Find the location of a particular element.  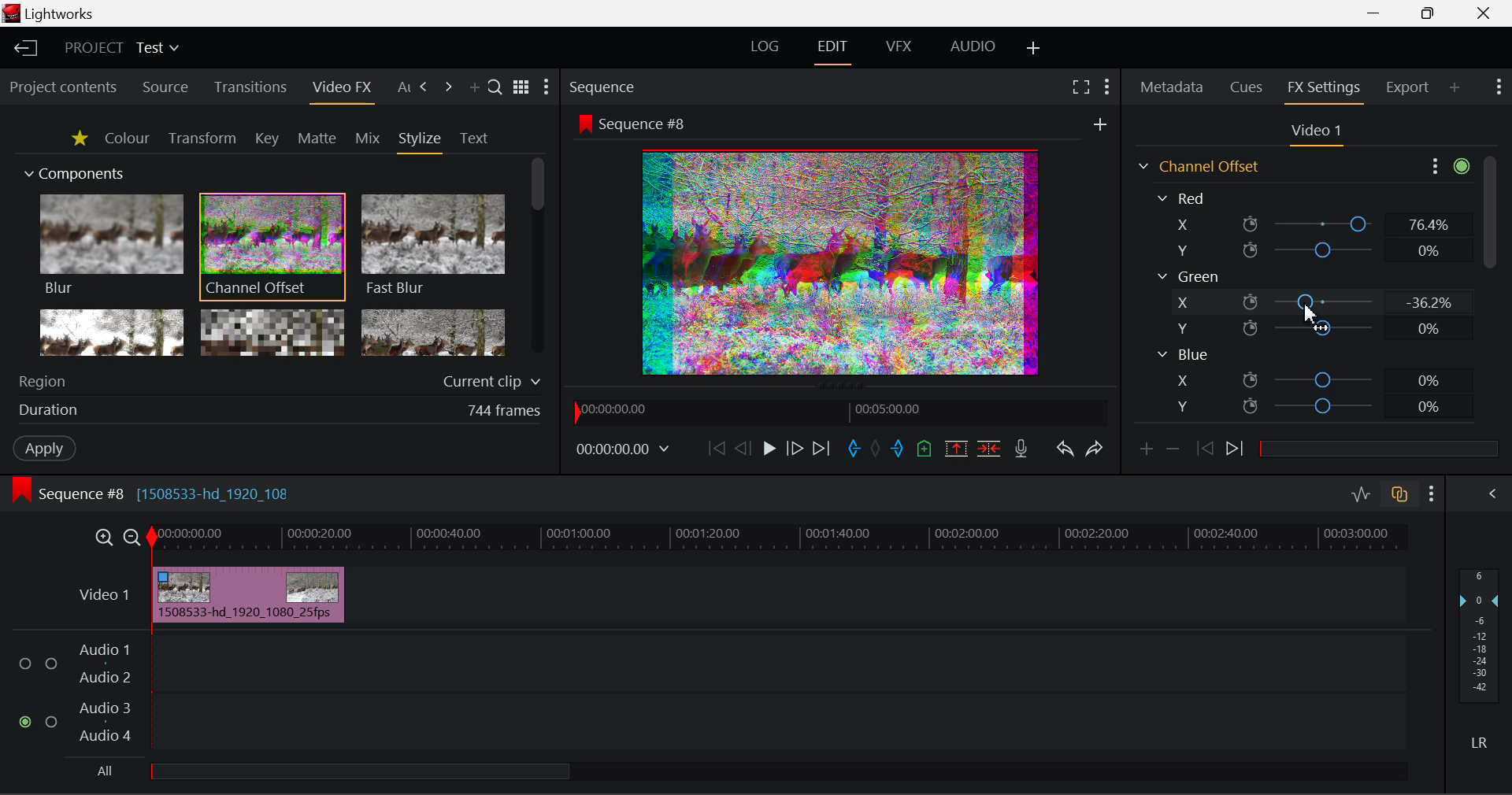

Blur is located at coordinates (110, 246).